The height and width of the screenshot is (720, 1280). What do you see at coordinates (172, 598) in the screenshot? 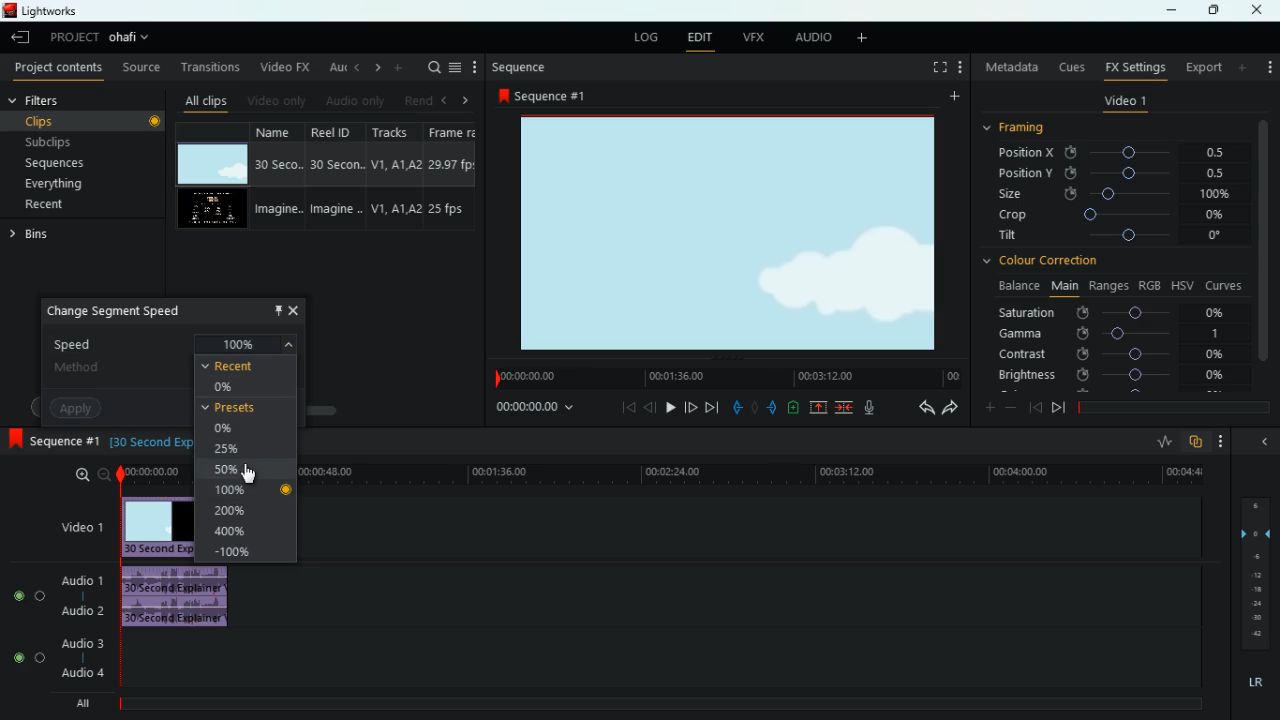
I see `audio` at bounding box center [172, 598].